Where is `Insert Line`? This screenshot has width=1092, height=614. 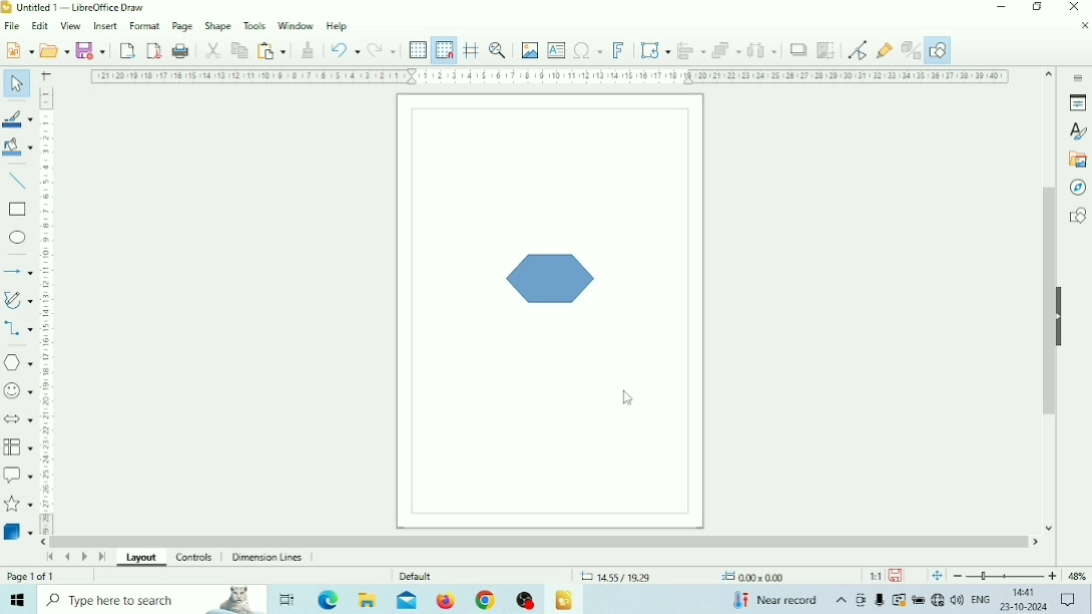 Insert Line is located at coordinates (18, 182).